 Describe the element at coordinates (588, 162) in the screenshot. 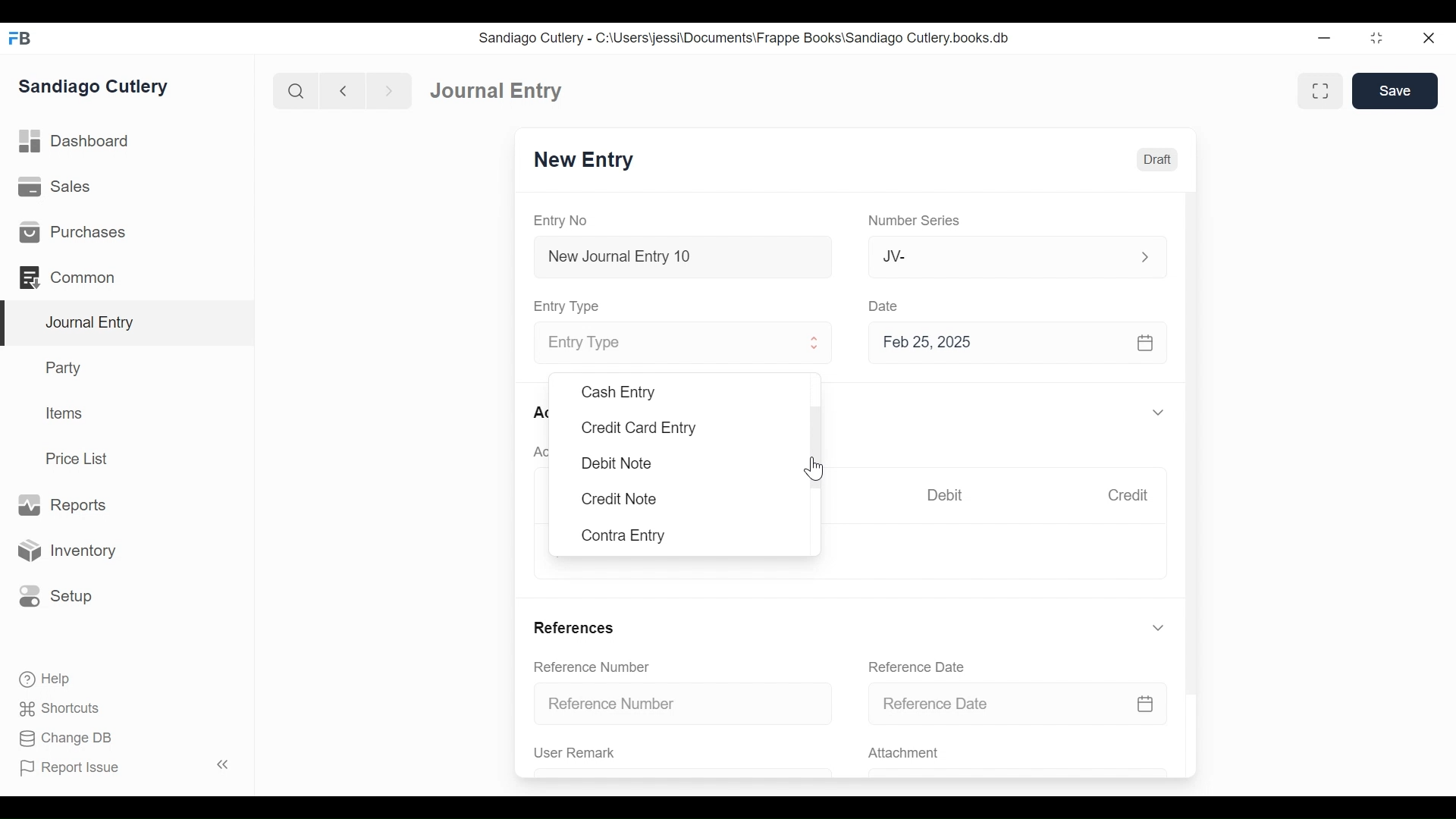

I see `New Entry` at that location.